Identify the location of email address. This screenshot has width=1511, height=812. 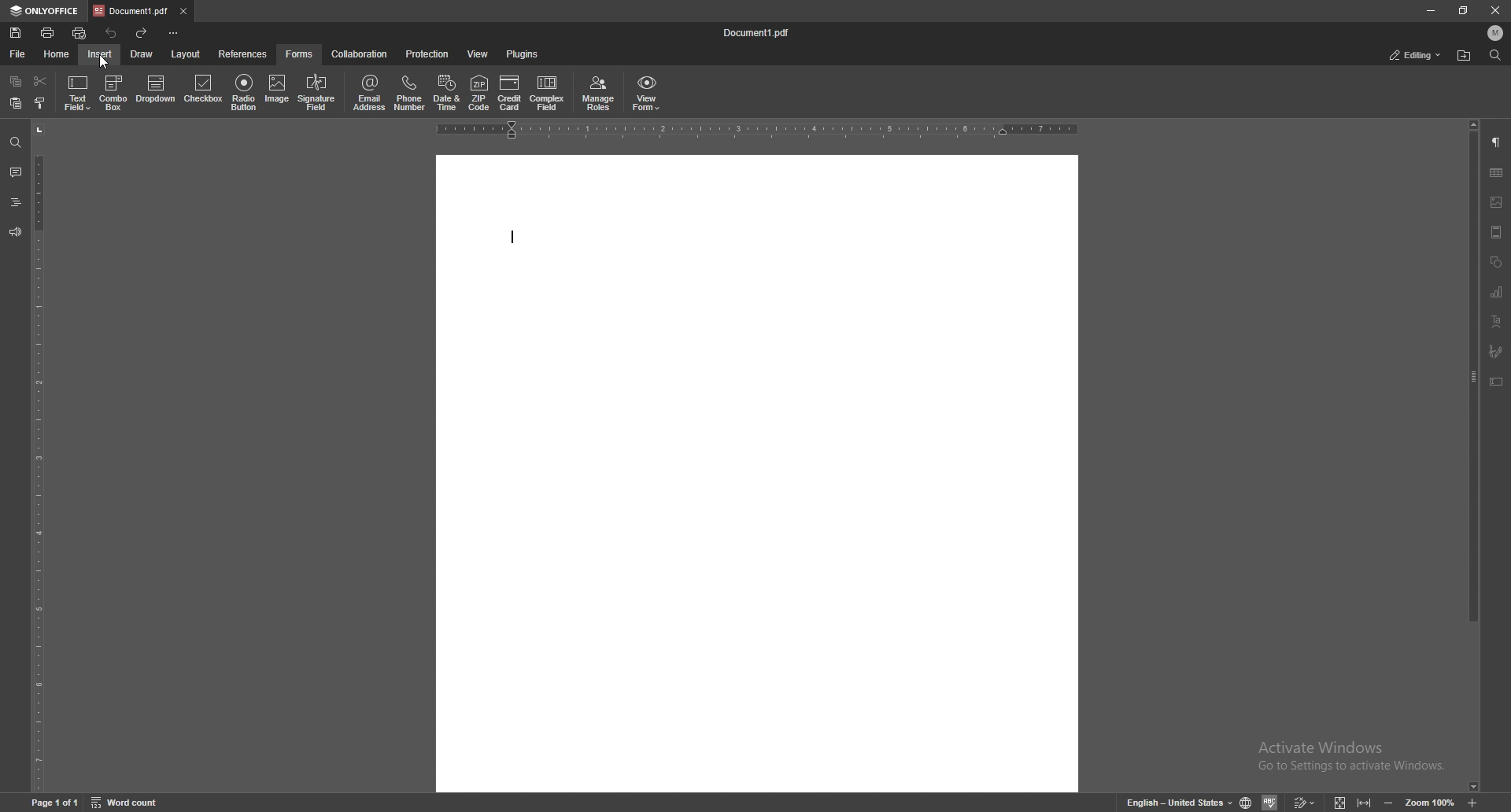
(371, 92).